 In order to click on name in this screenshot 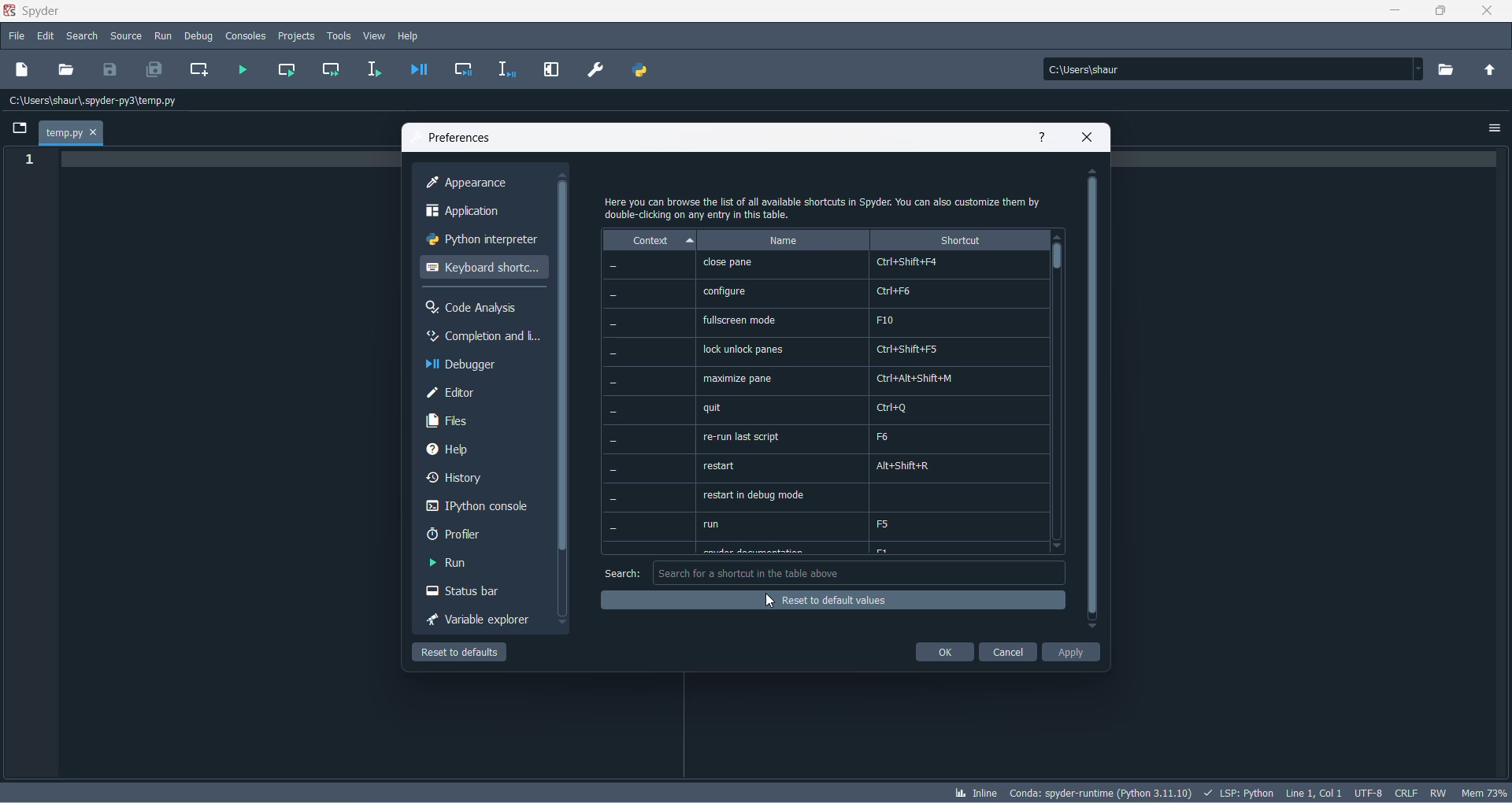, I will do `click(784, 239)`.